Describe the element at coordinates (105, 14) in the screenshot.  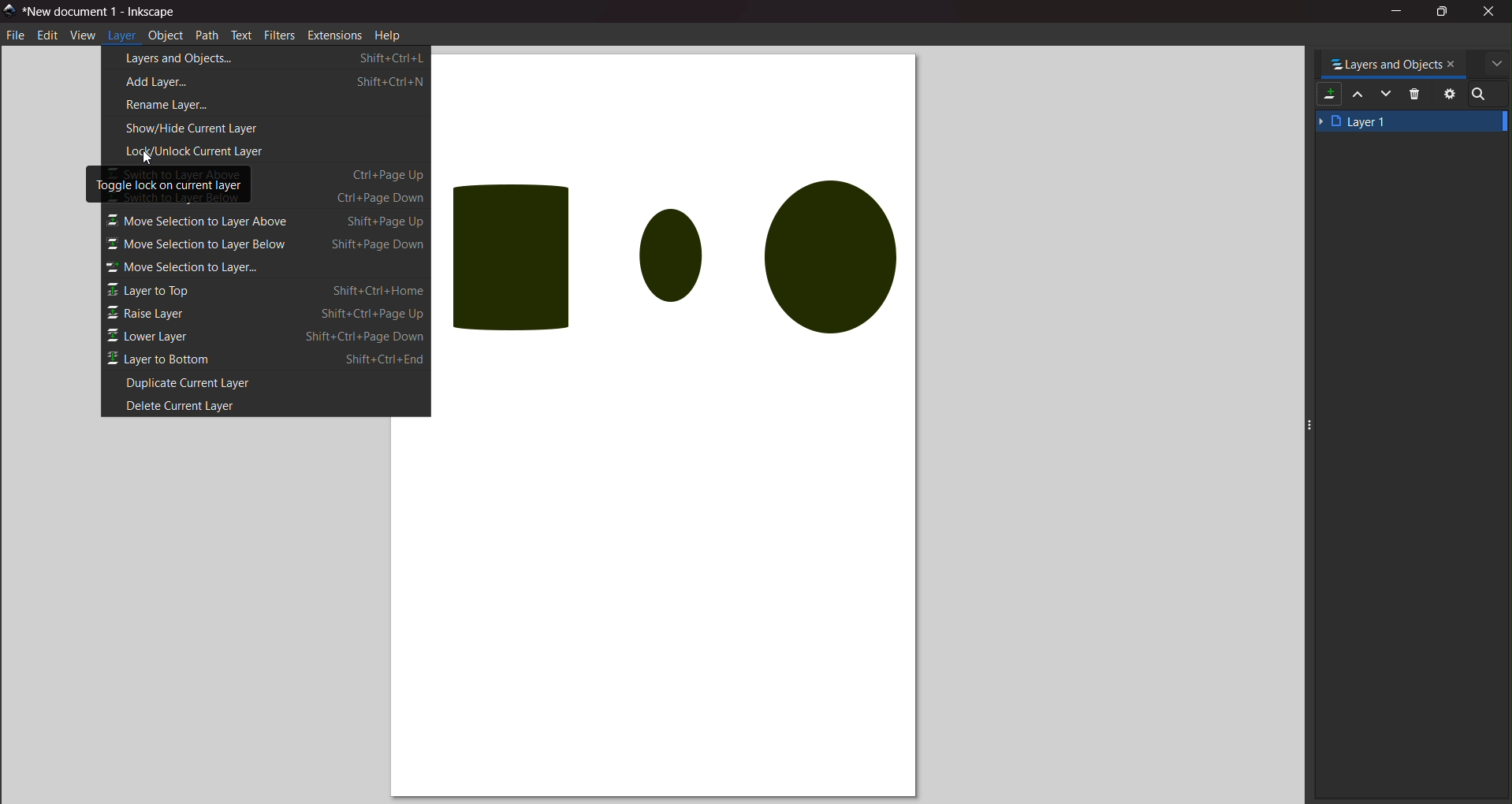
I see `title` at that location.